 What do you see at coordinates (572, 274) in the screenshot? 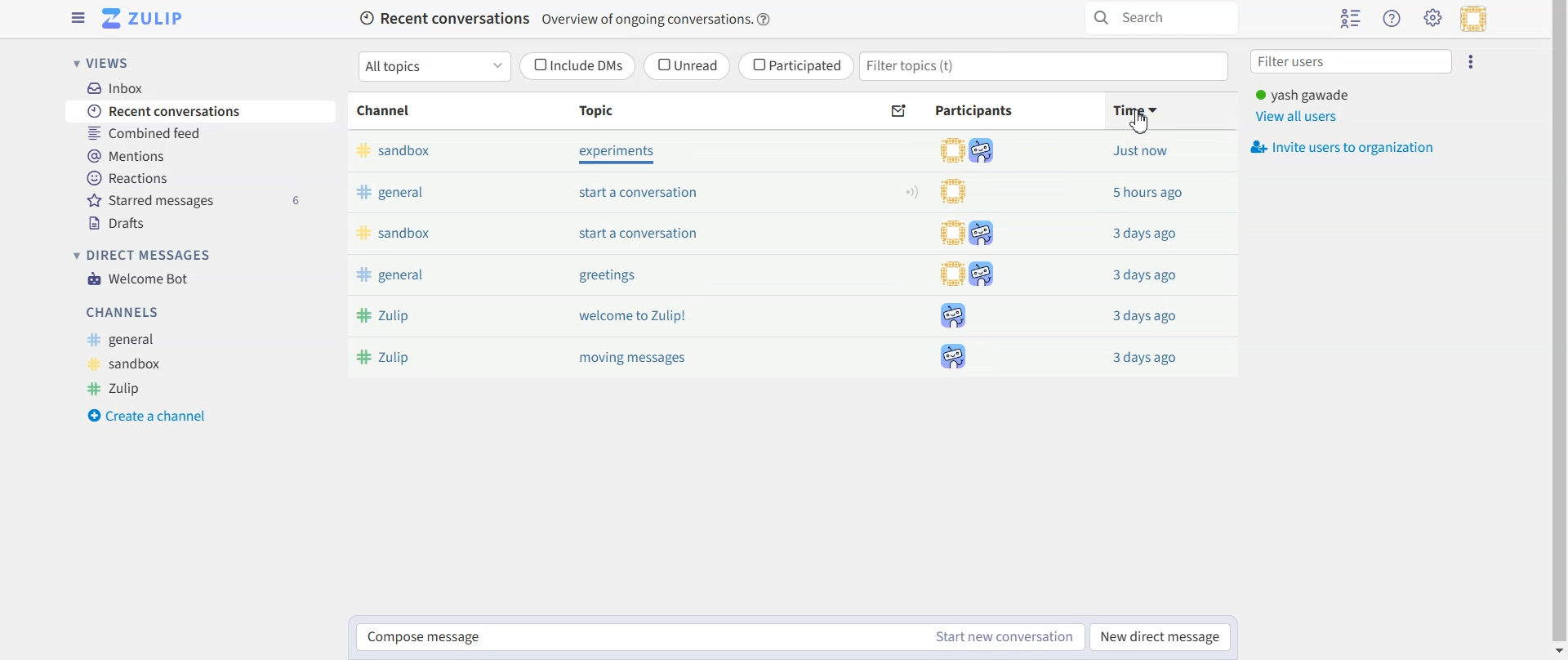
I see `general greetings` at bounding box center [572, 274].